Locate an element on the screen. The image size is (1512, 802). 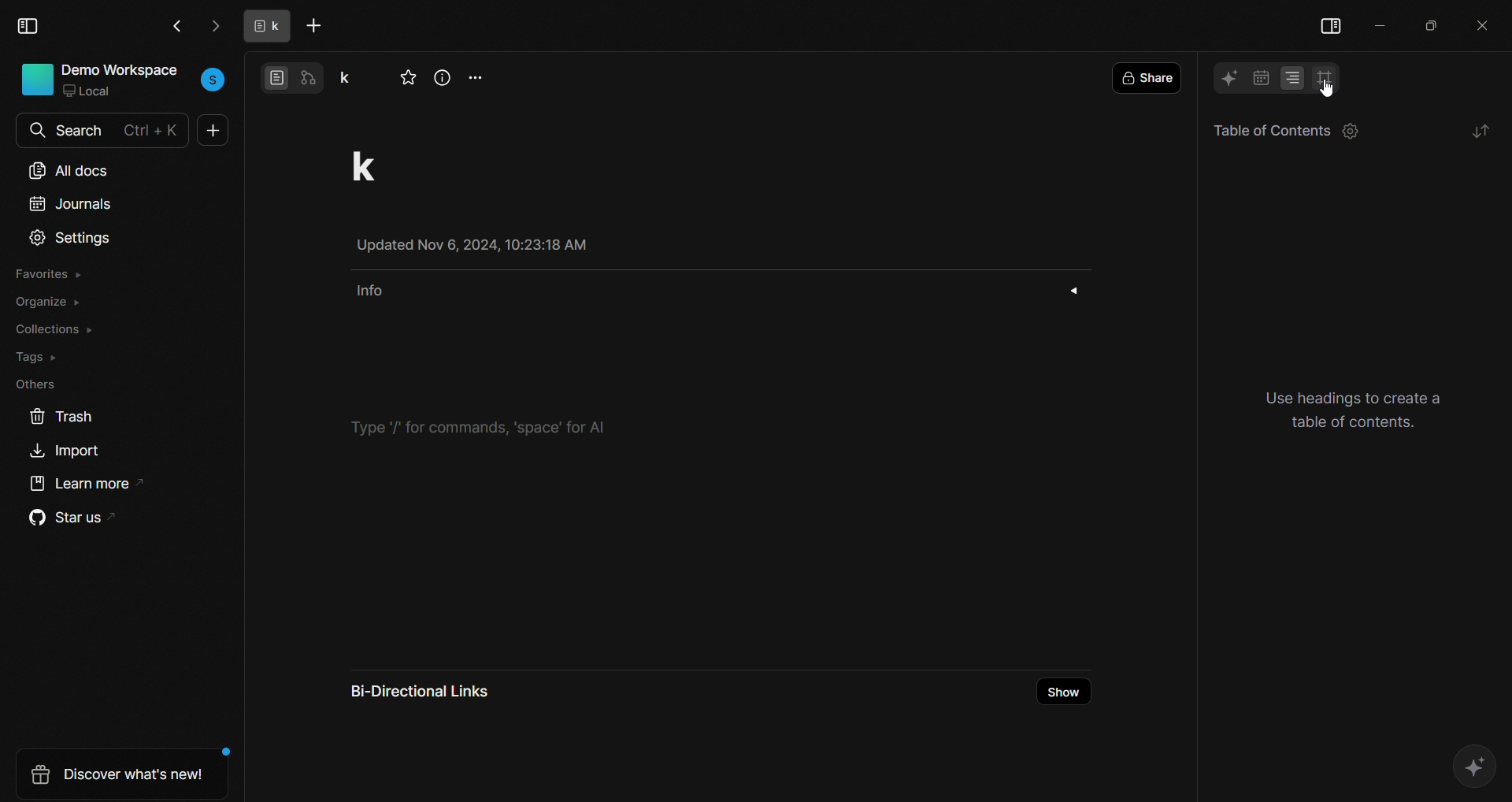
tab name is located at coordinates (262, 27).